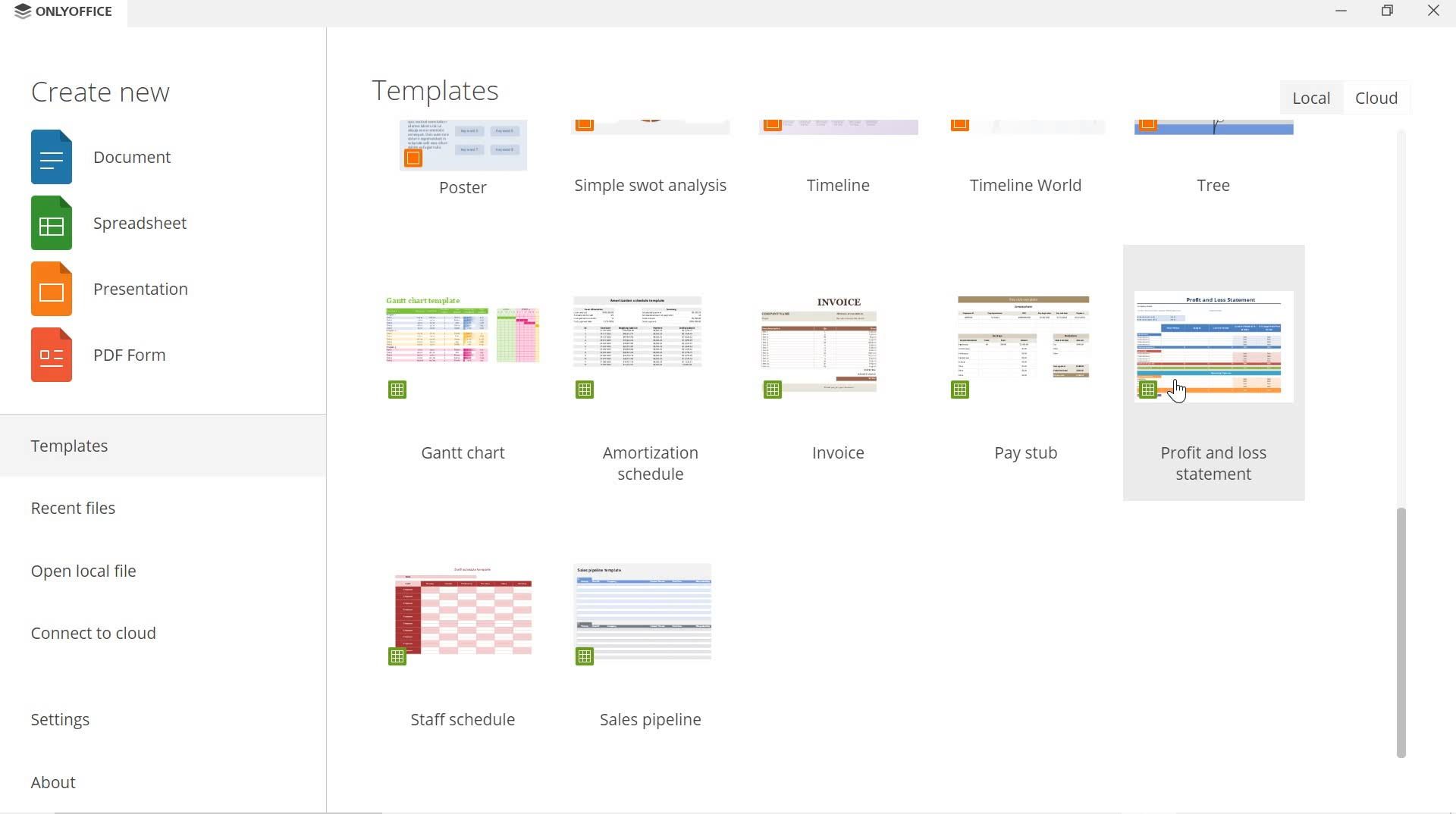 This screenshot has height=814, width=1456. What do you see at coordinates (20, 11) in the screenshot?
I see `ONLYOFFICE logo` at bounding box center [20, 11].